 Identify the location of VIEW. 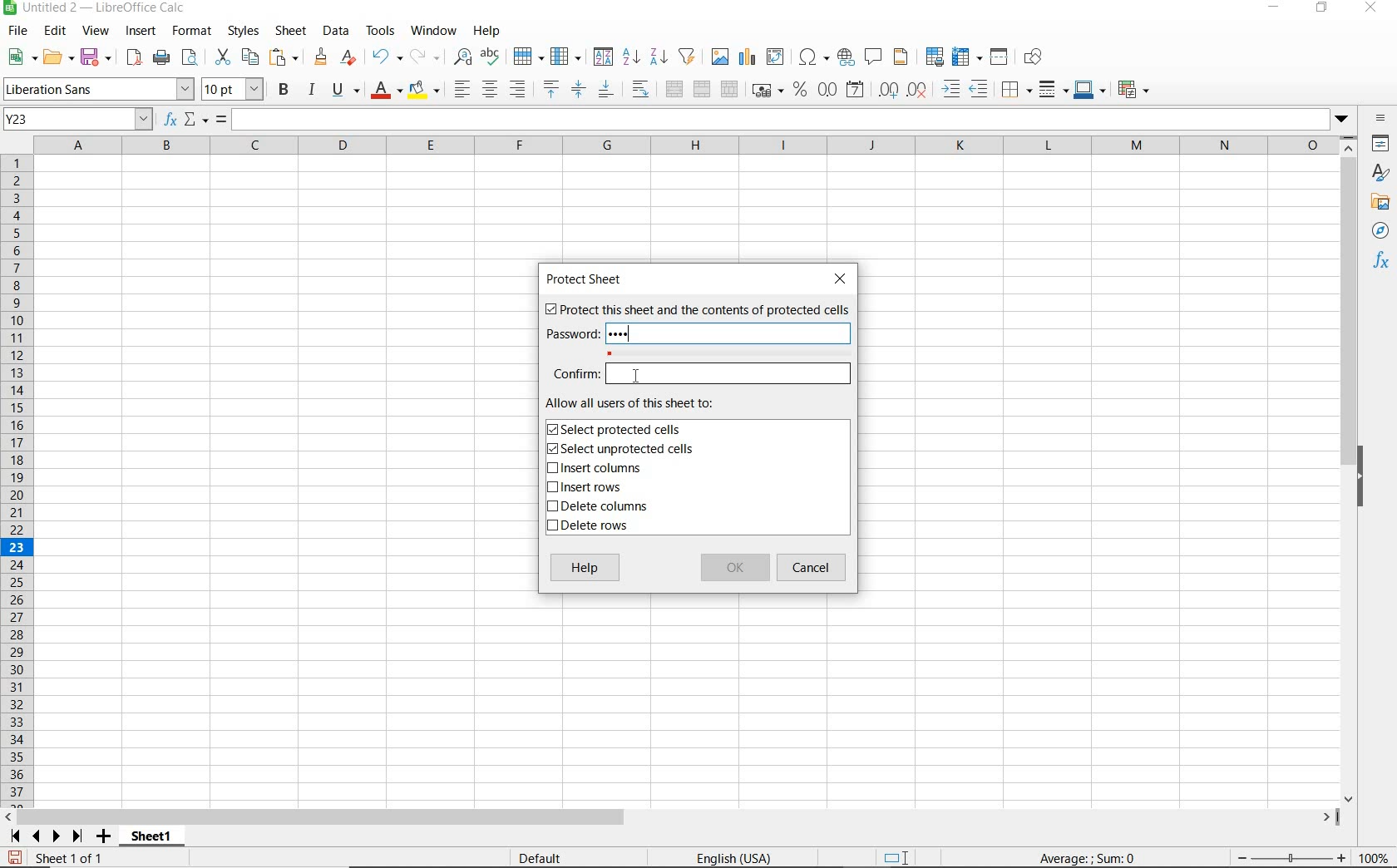
(96, 31).